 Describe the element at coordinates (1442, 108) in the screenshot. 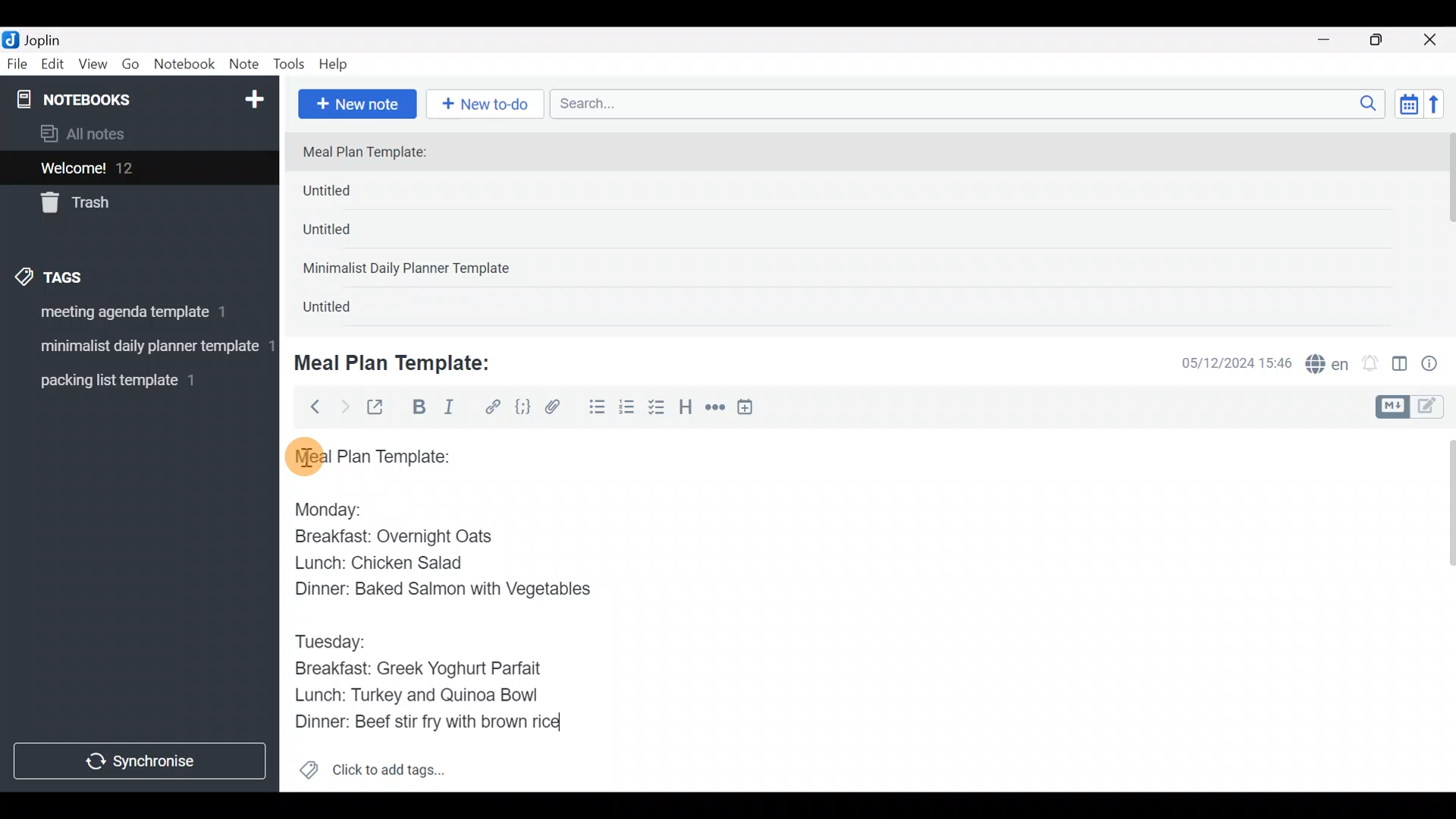

I see `Reverse sort` at that location.